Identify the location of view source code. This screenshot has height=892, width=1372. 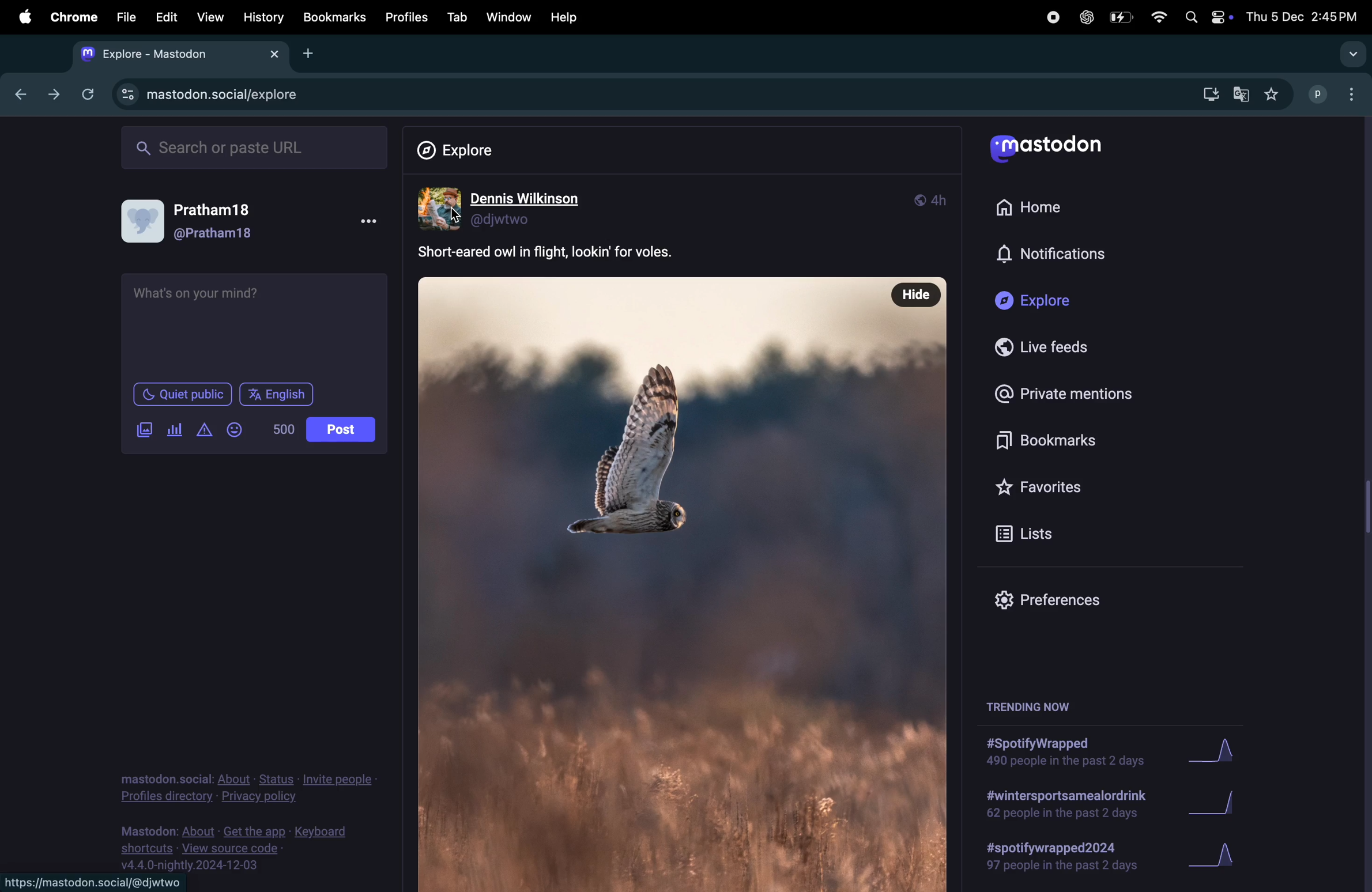
(223, 849).